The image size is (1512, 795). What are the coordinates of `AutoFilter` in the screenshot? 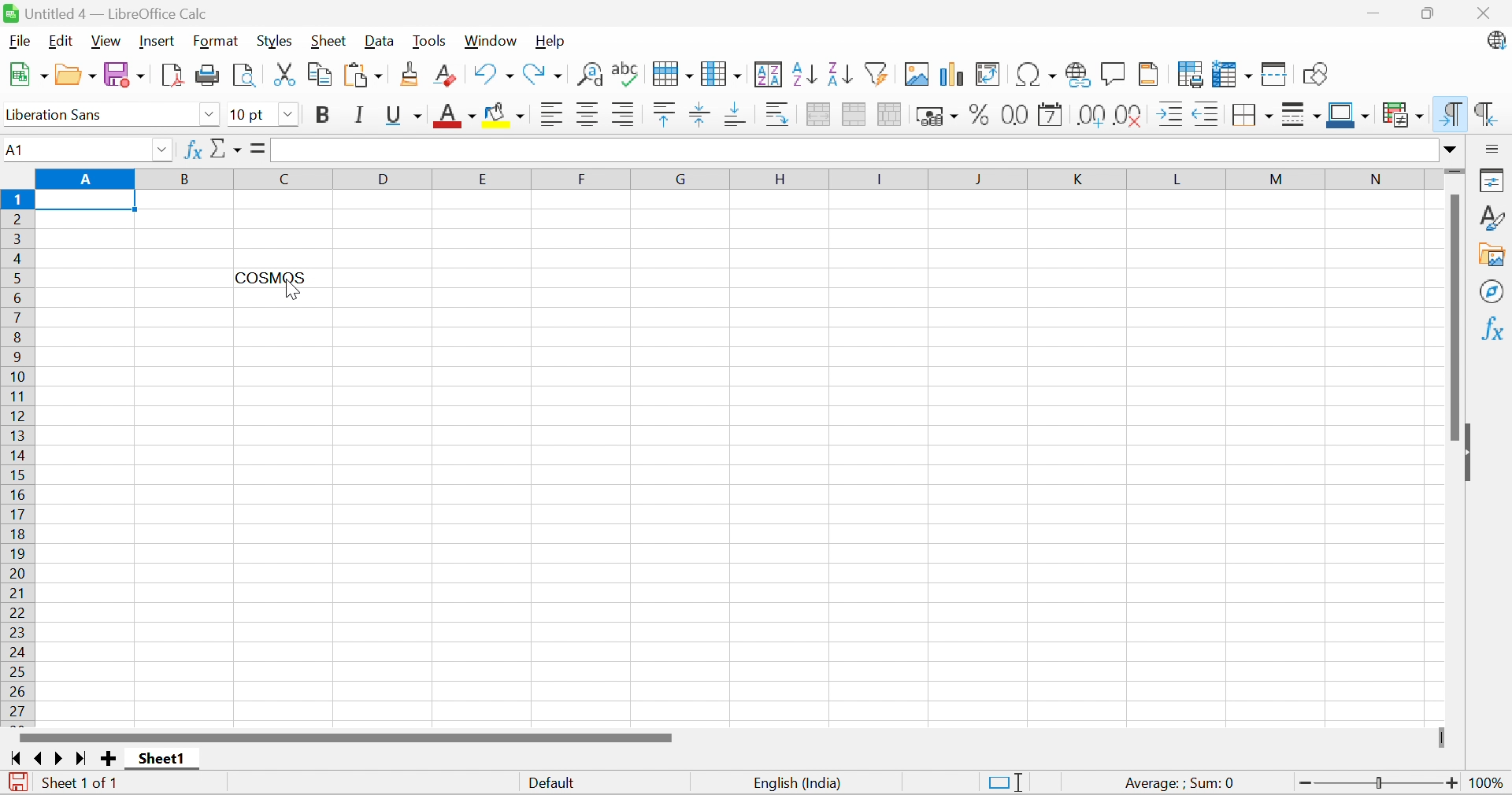 It's located at (878, 75).